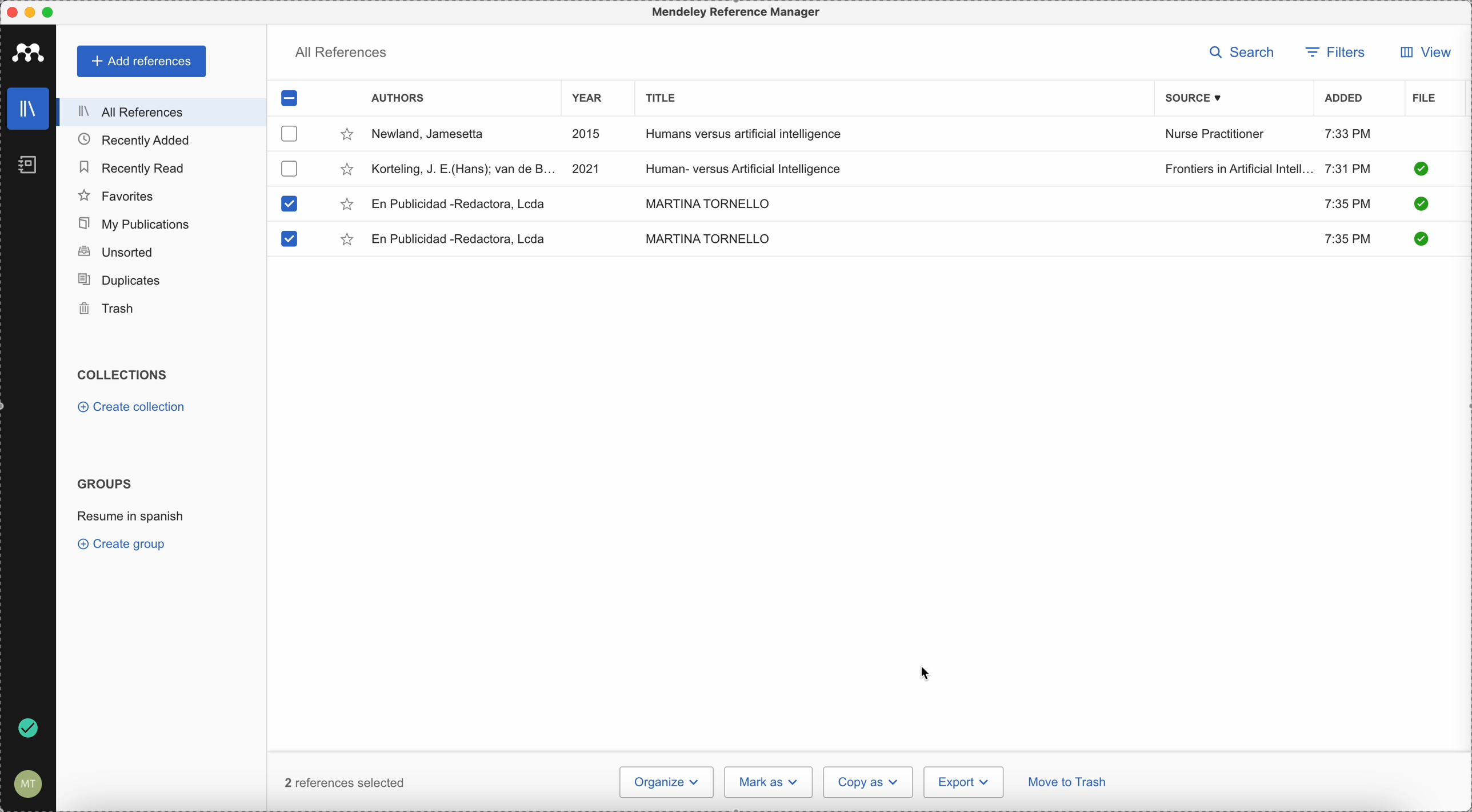 This screenshot has height=812, width=1472. Describe the element at coordinates (1424, 99) in the screenshot. I see `file` at that location.